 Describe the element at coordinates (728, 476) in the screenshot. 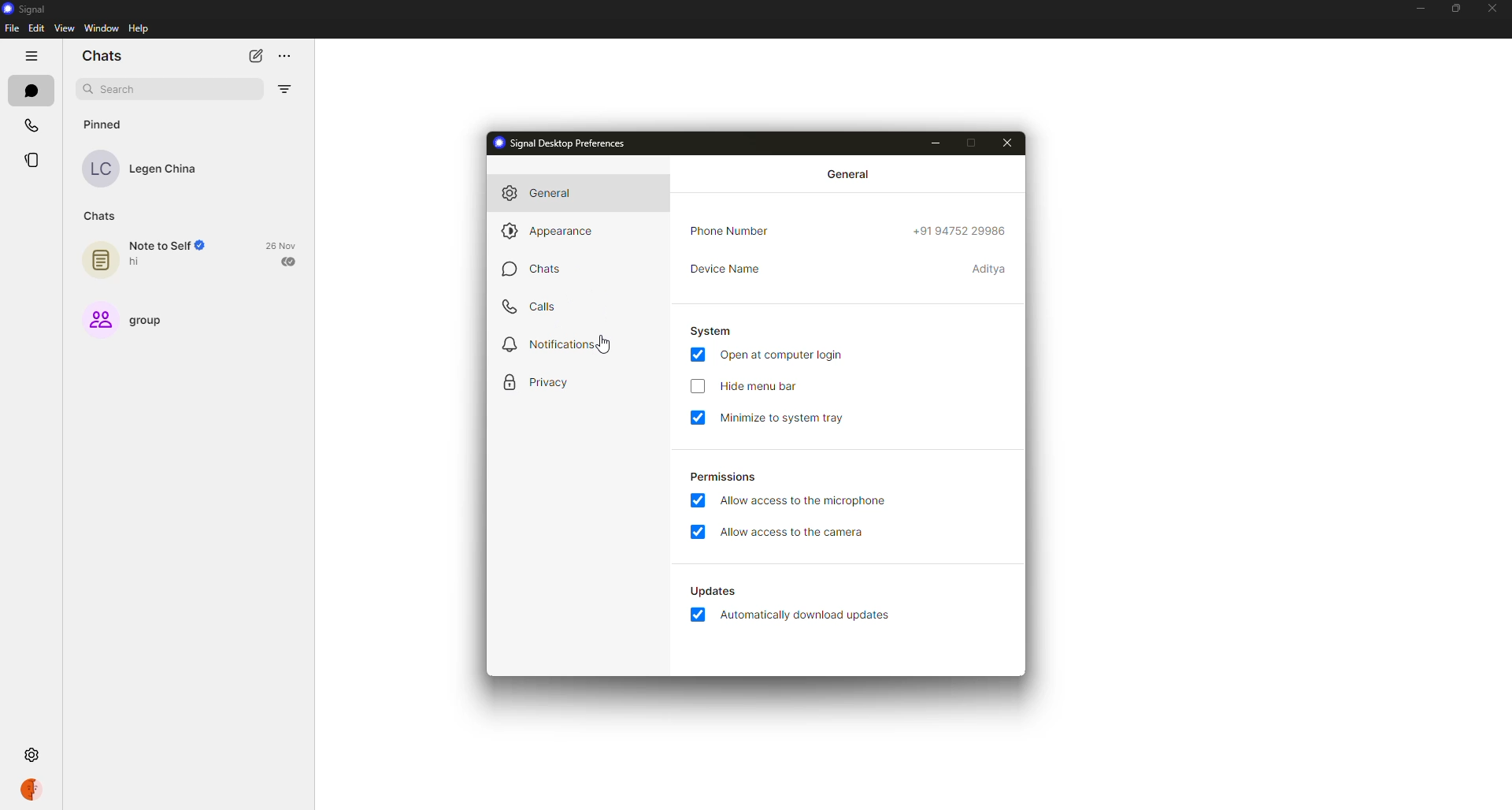

I see `permissions` at that location.